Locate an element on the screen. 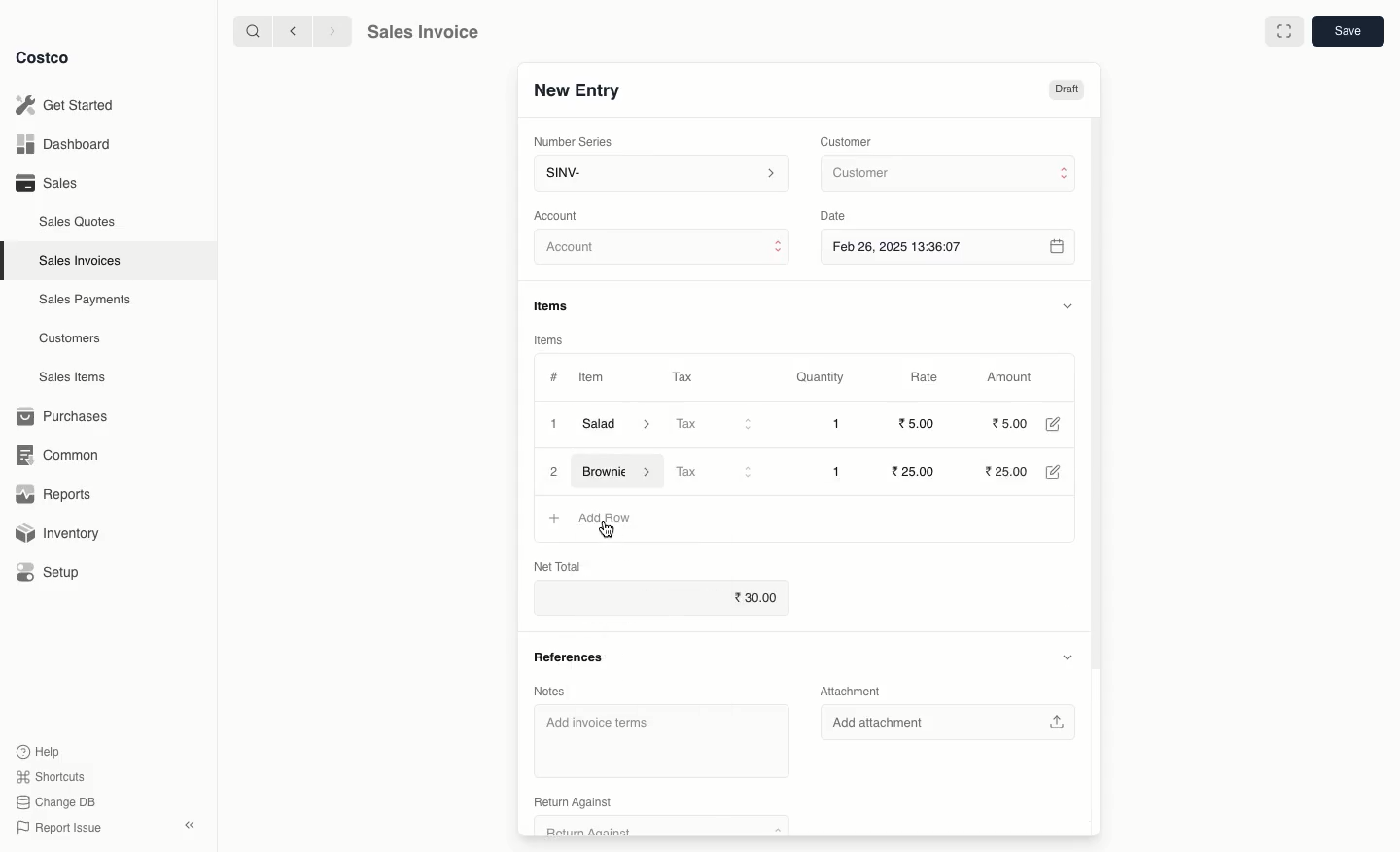  Sales Payments. is located at coordinates (87, 302).